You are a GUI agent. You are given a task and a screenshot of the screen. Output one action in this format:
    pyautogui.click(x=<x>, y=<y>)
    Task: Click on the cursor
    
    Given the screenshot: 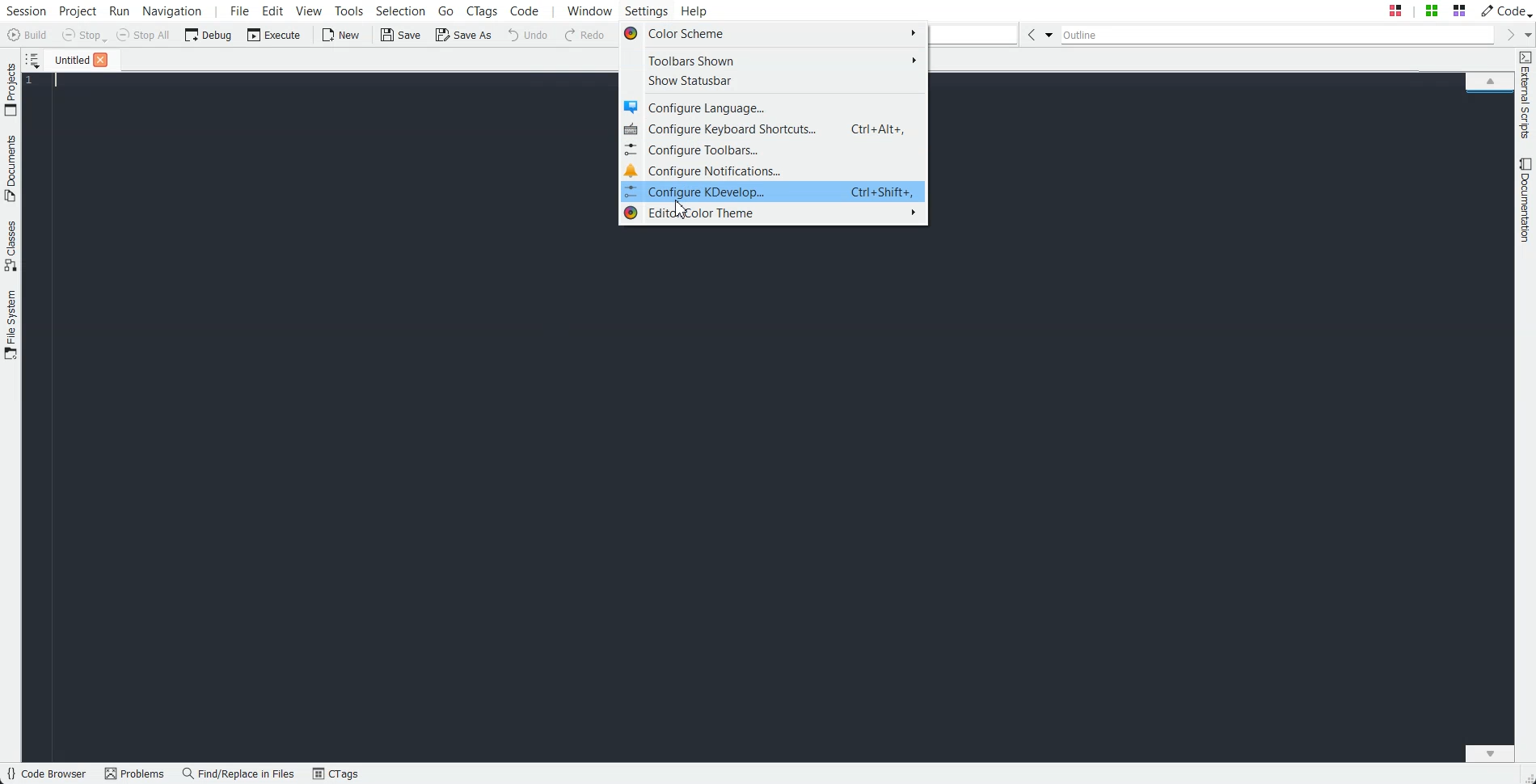 What is the action you would take?
    pyautogui.click(x=681, y=209)
    